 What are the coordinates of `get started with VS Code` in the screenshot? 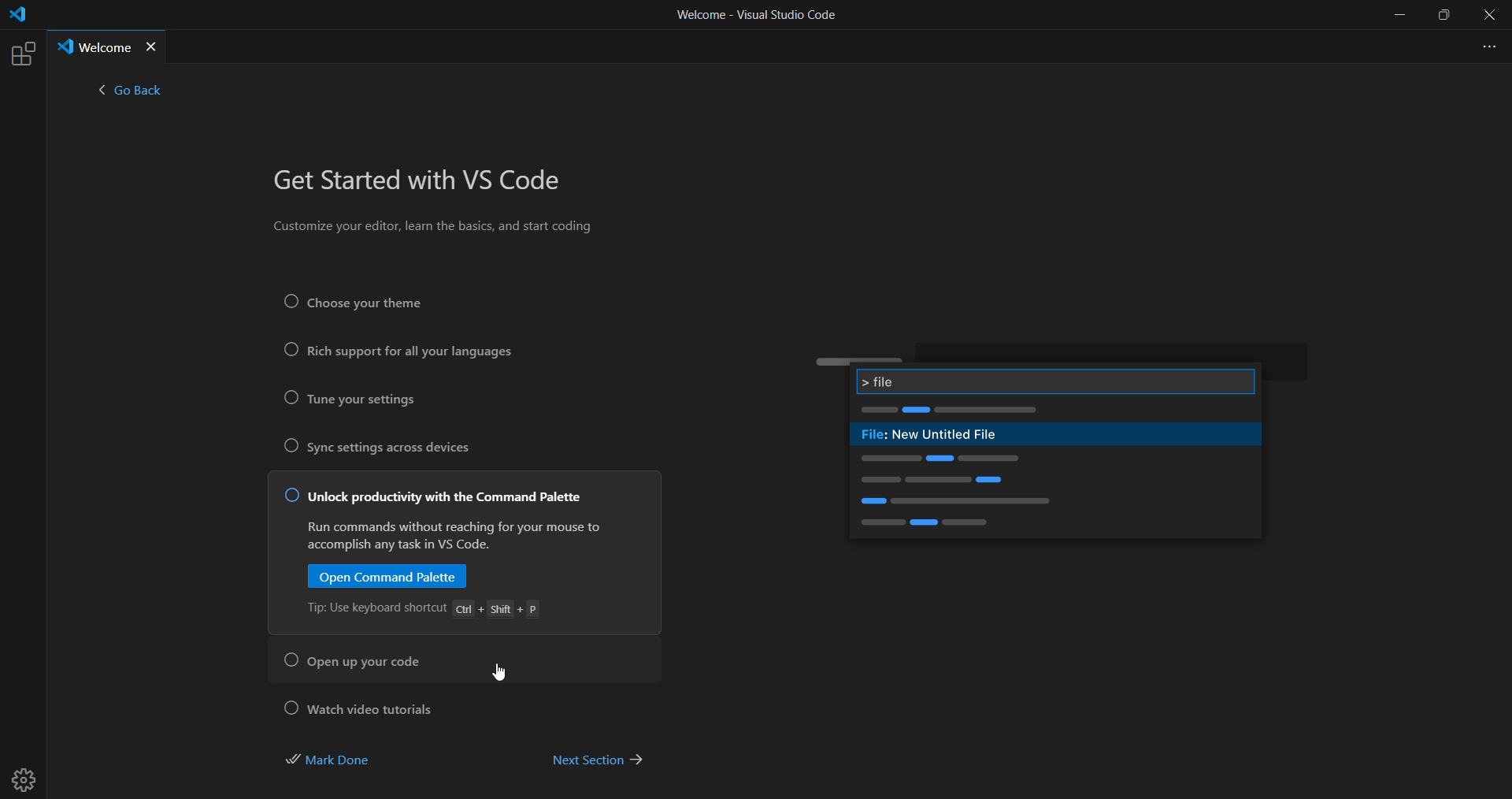 It's located at (424, 182).